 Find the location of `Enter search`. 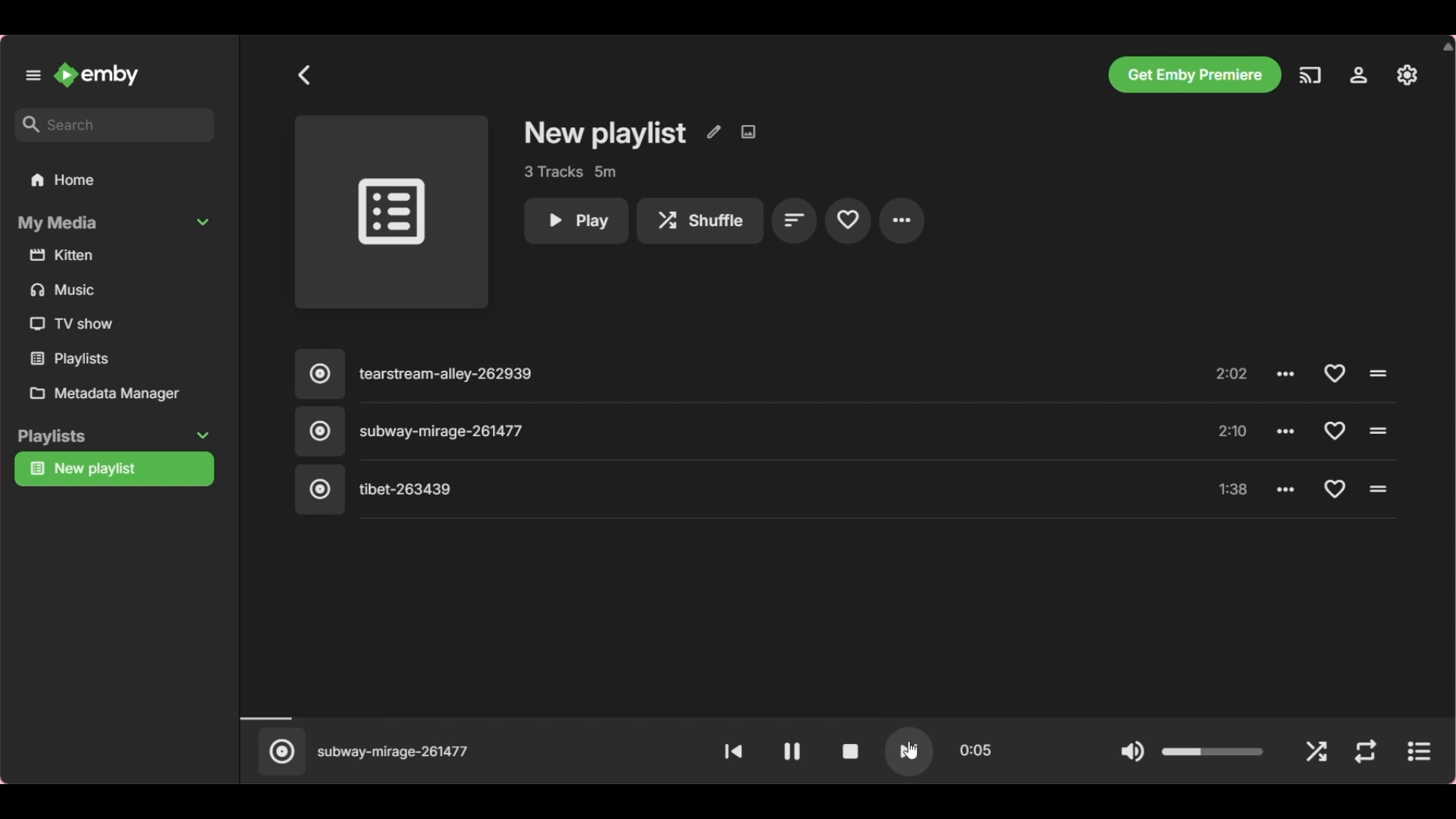

Enter search is located at coordinates (114, 126).